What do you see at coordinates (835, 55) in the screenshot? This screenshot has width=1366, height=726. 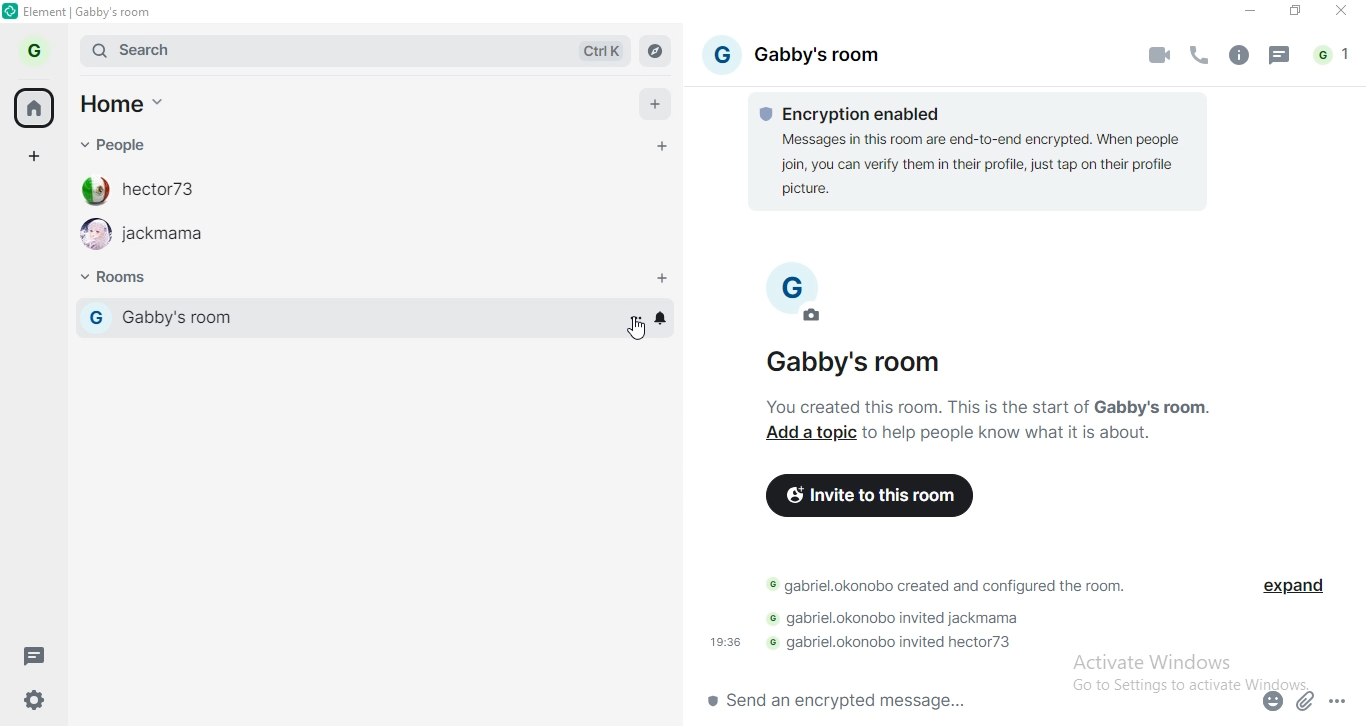 I see `gabby's rooom` at bounding box center [835, 55].